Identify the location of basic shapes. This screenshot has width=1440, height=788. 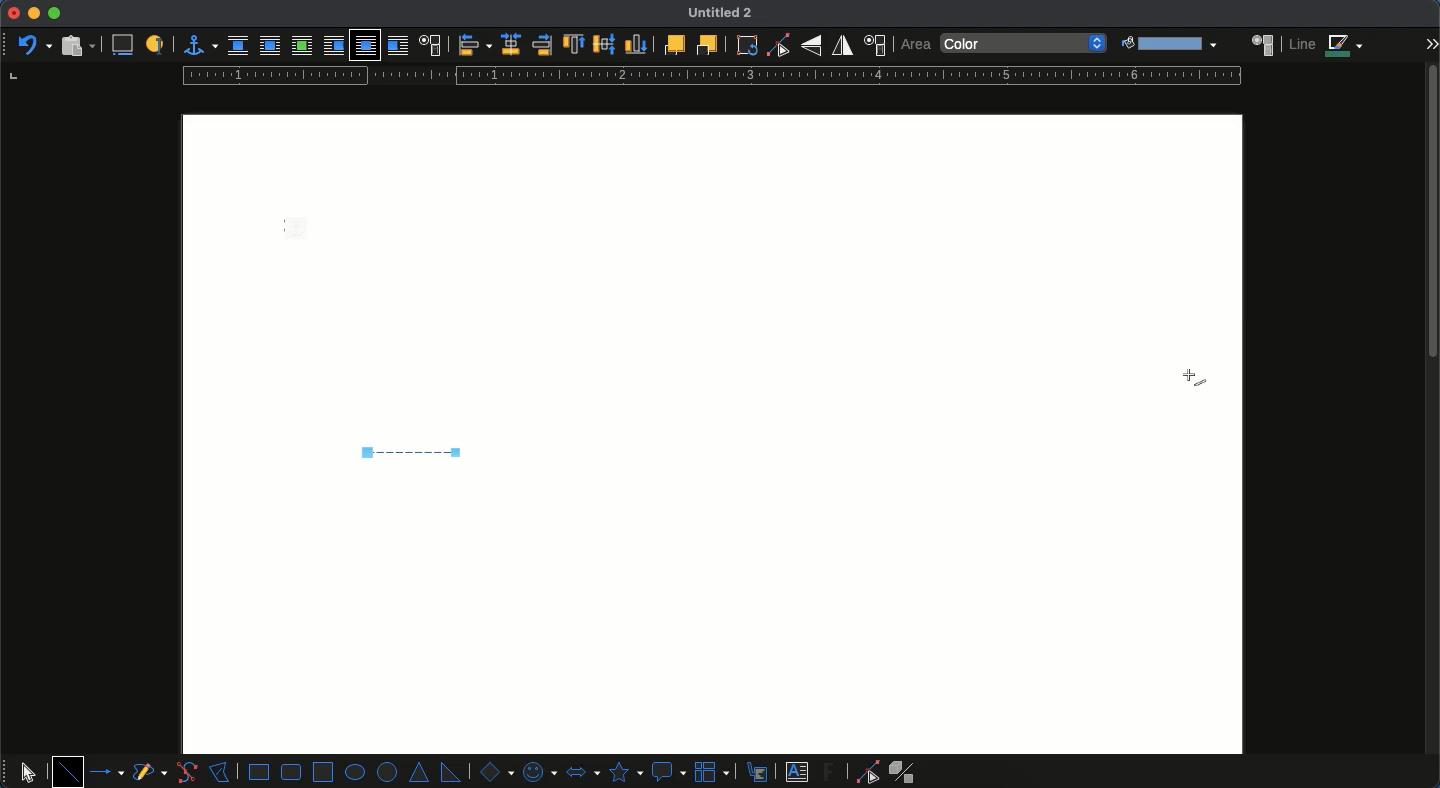
(494, 771).